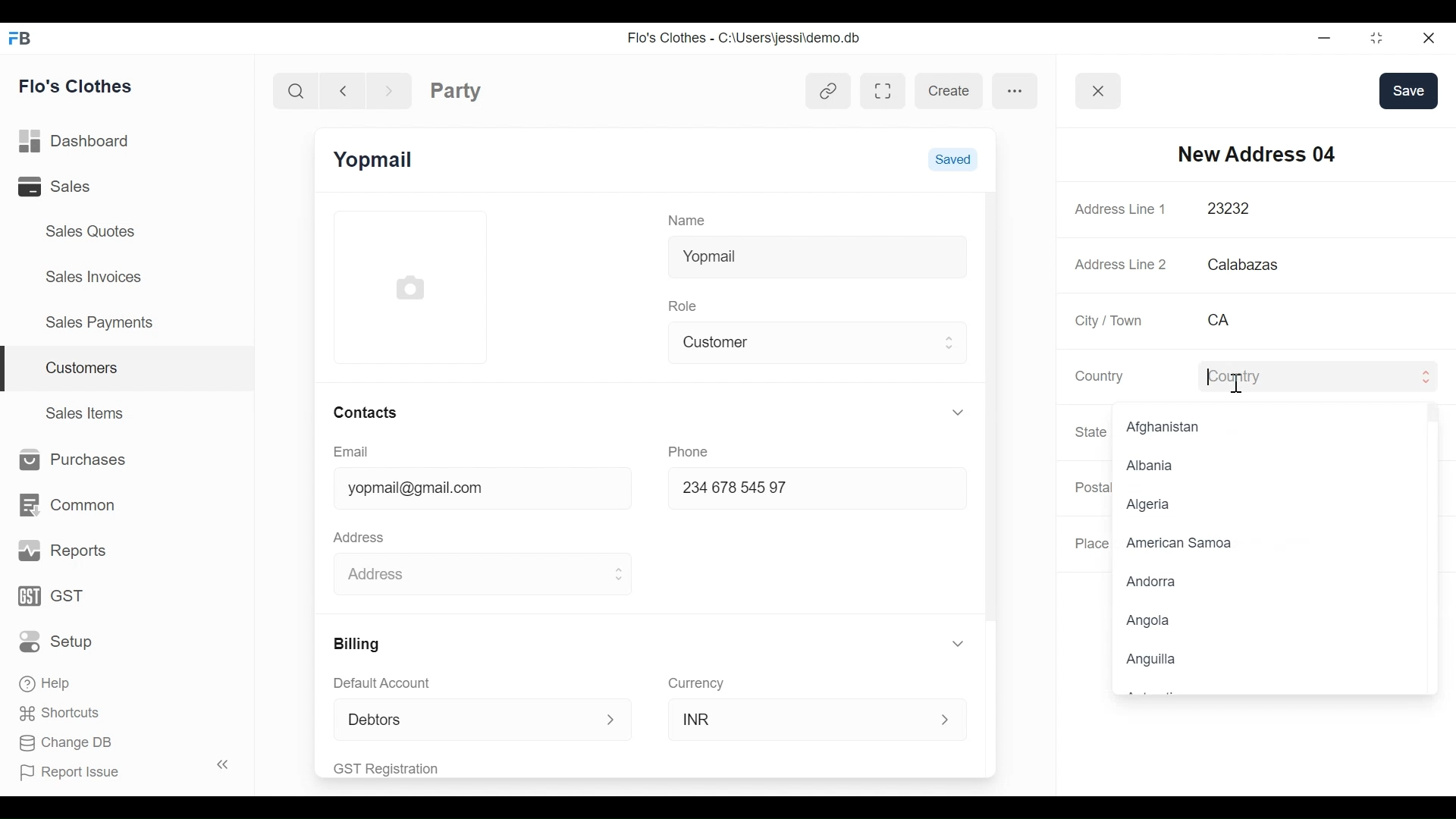 The width and height of the screenshot is (1456, 819). Describe the element at coordinates (961, 644) in the screenshot. I see `Expand` at that location.